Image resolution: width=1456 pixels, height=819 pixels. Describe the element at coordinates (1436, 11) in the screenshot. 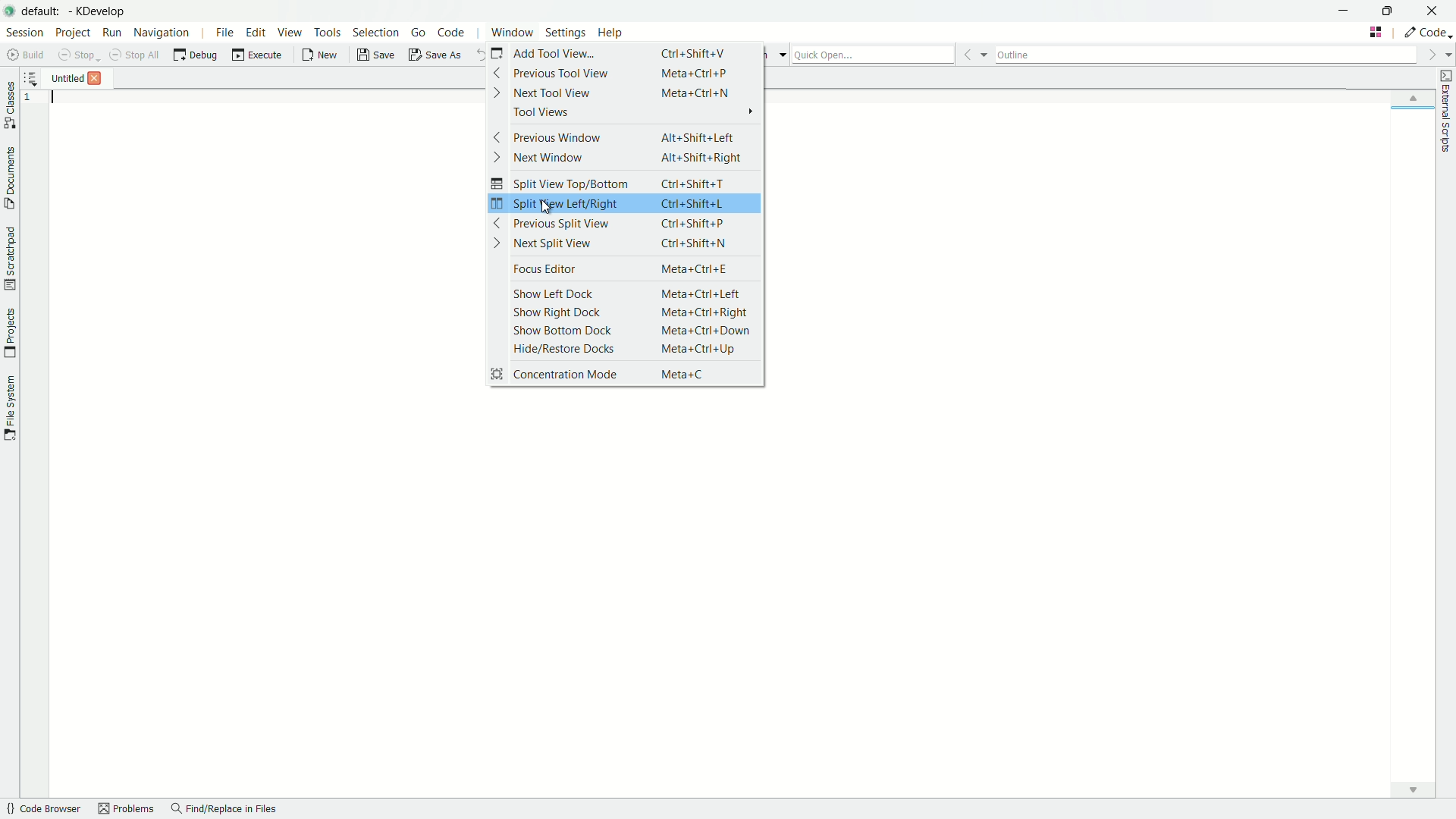

I see `close app` at that location.